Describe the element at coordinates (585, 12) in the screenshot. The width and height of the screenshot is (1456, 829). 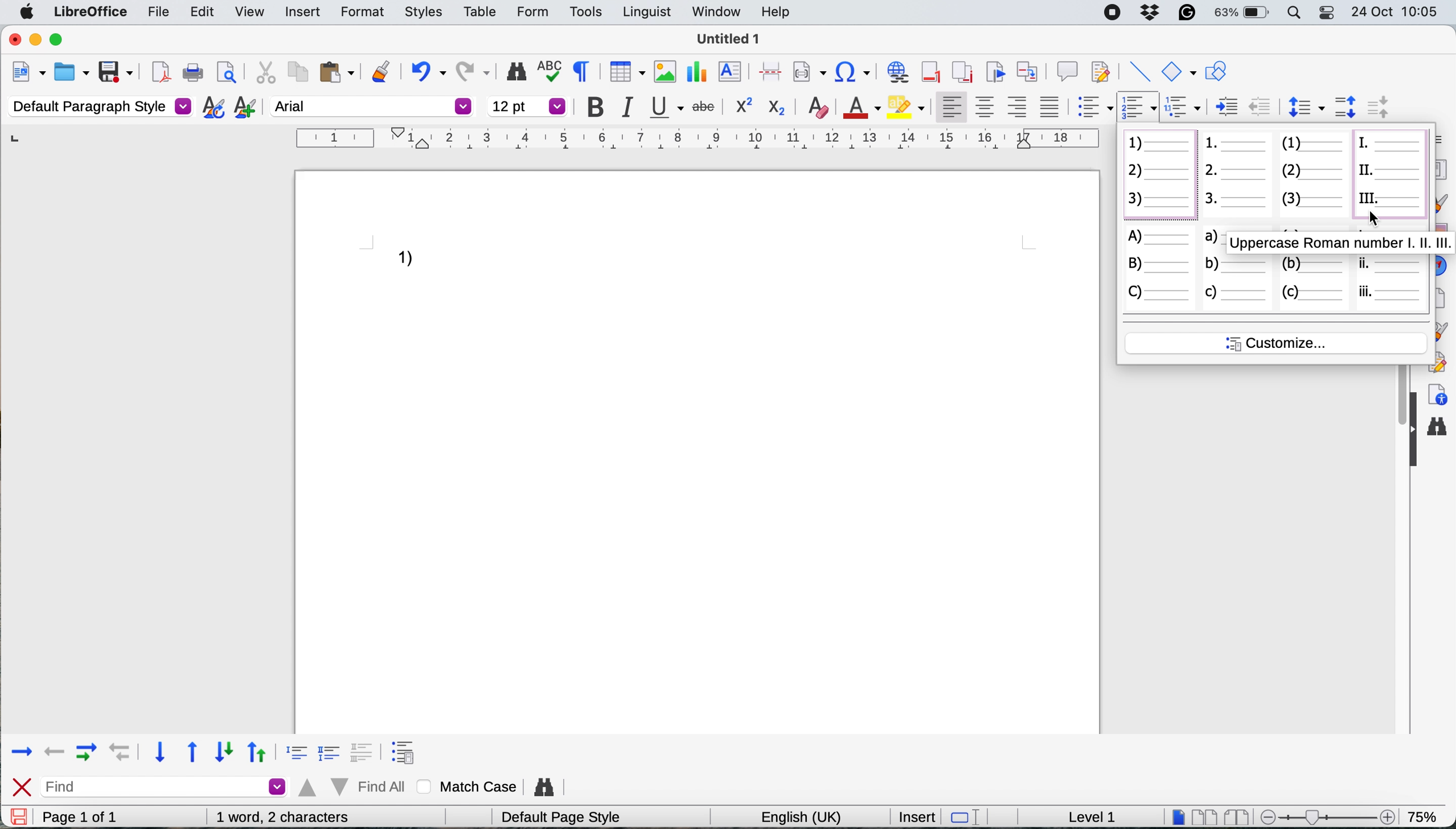
I see `tools` at that location.